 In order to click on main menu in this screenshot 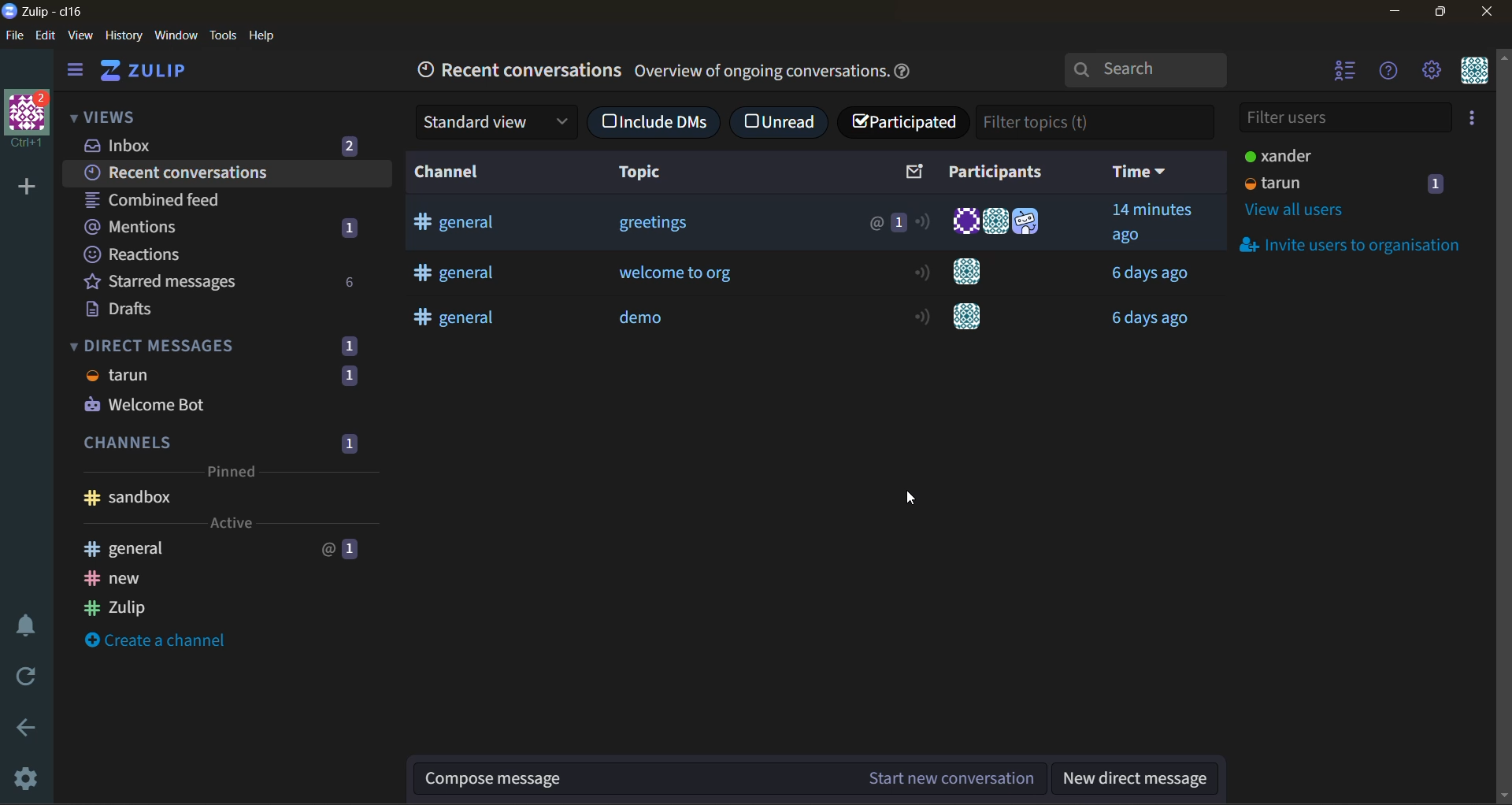, I will do `click(1437, 72)`.